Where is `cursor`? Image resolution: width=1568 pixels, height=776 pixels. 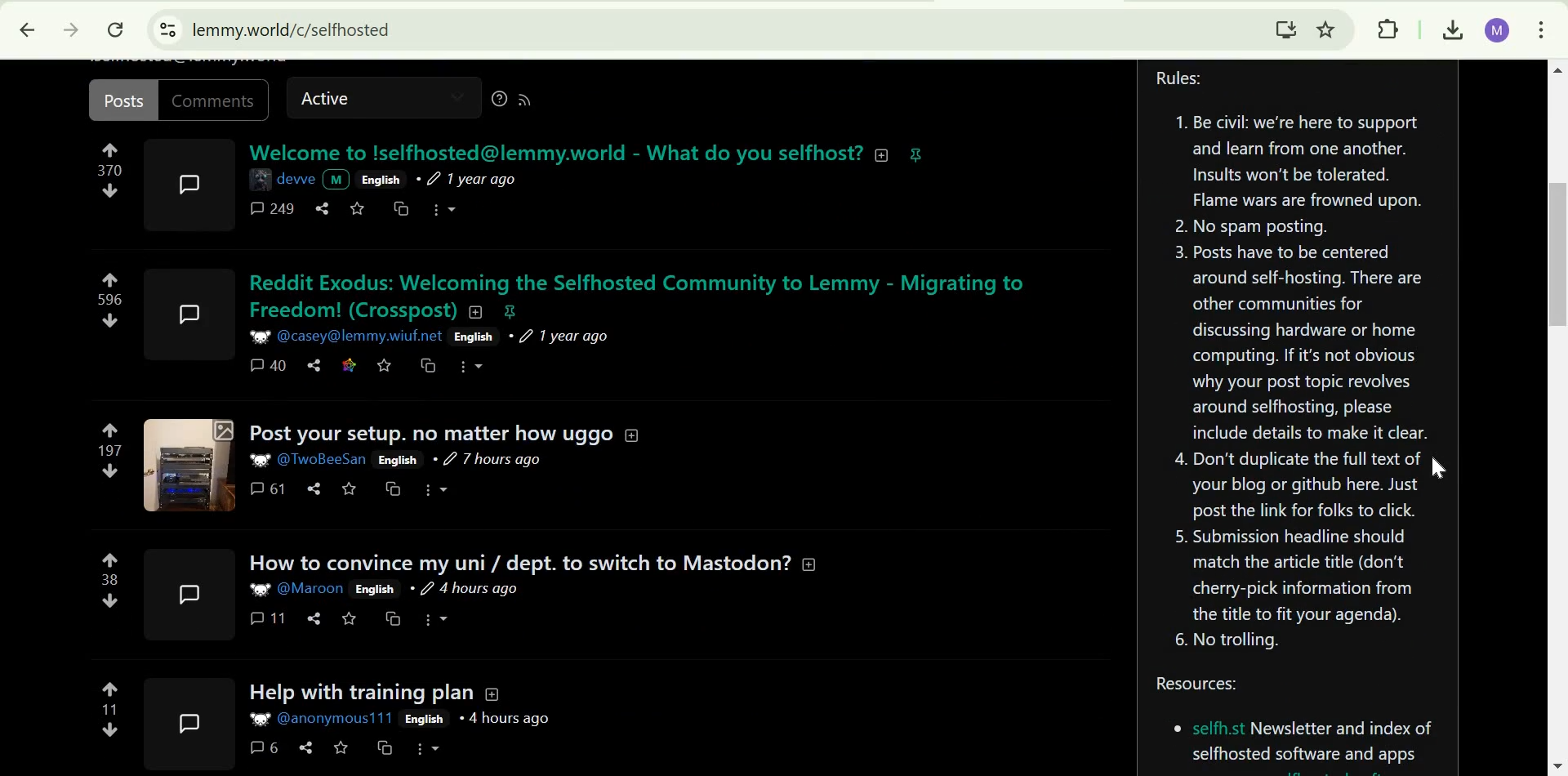 cursor is located at coordinates (1435, 470).